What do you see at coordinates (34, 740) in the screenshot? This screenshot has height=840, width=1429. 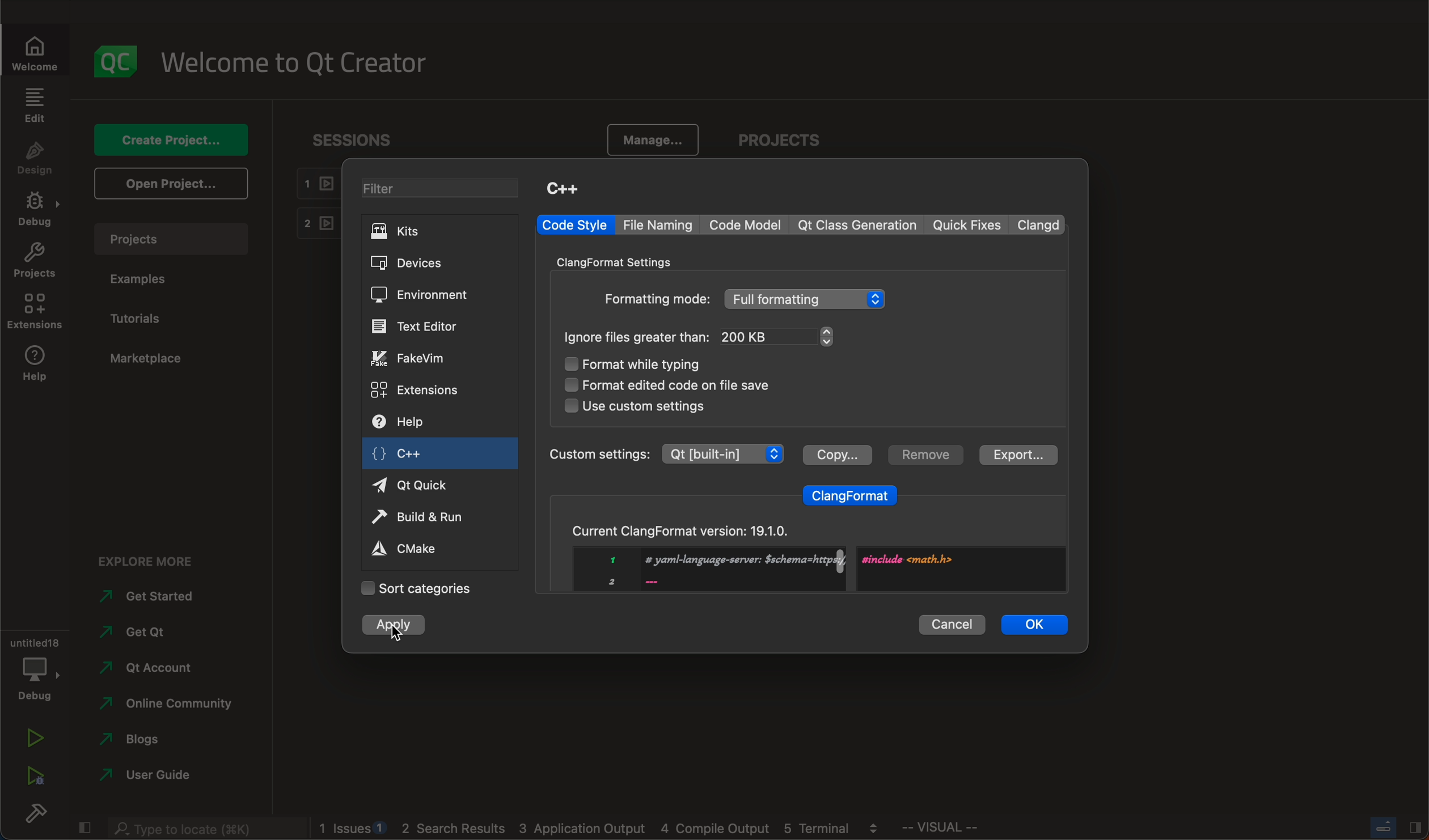 I see `run` at bounding box center [34, 740].